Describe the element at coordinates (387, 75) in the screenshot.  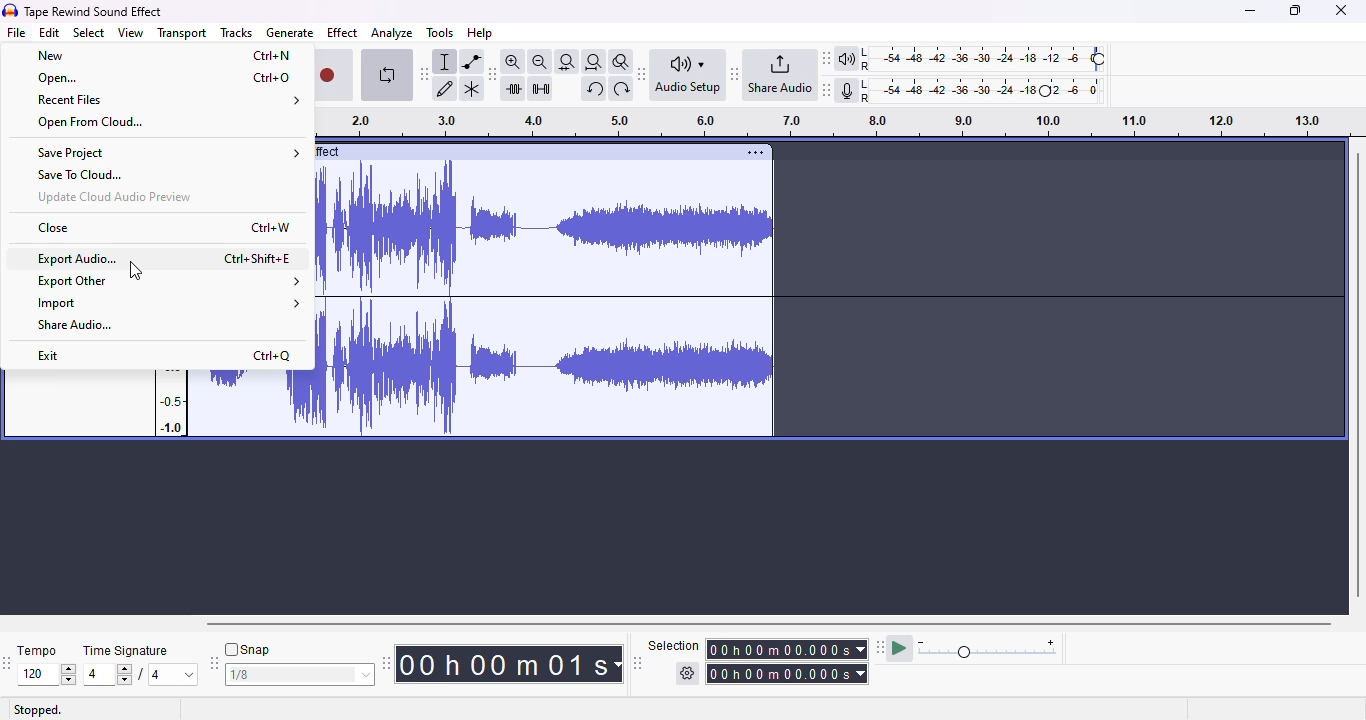
I see `enable looping` at that location.